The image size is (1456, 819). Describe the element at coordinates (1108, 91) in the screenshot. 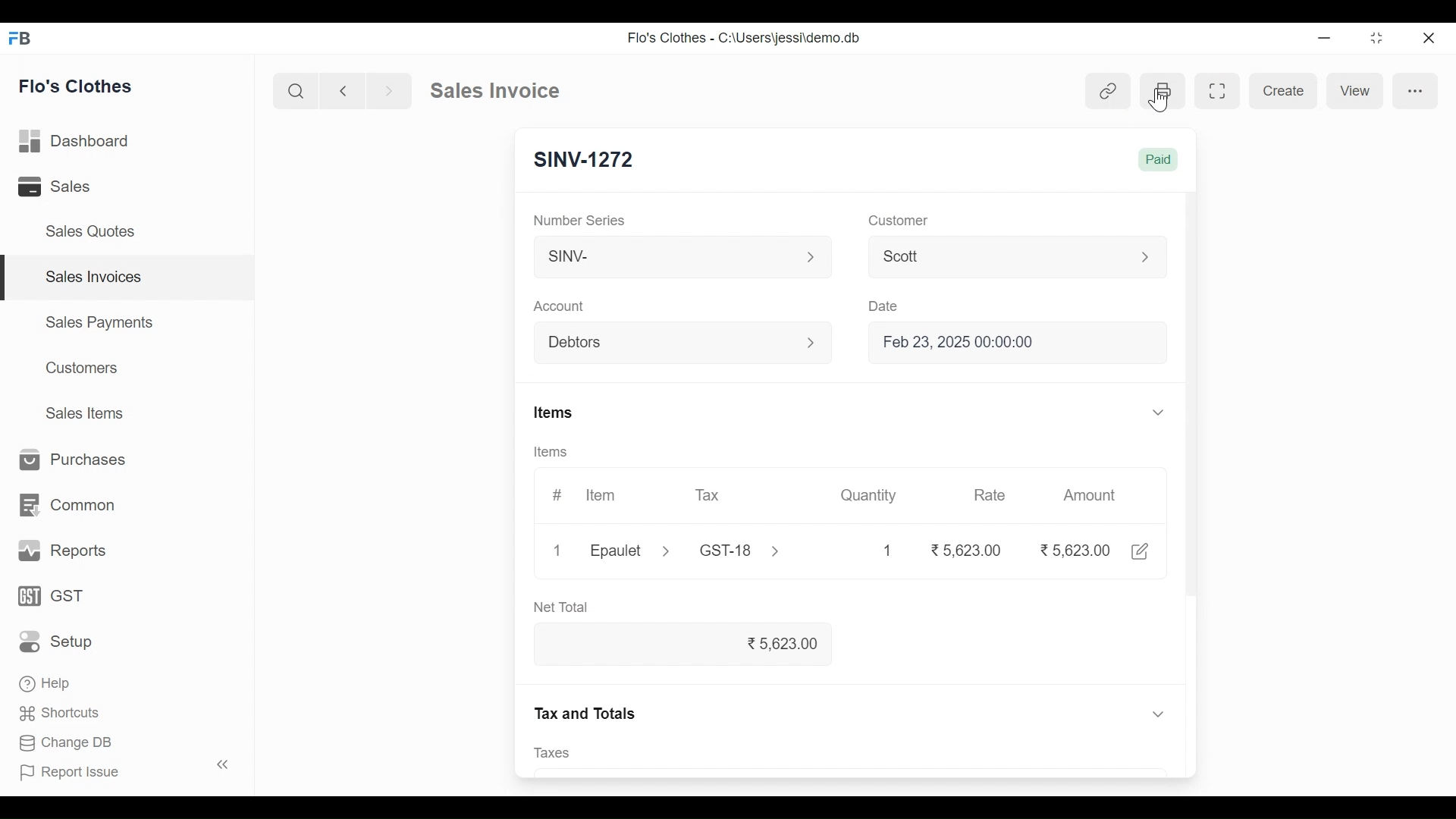

I see `View link entries` at that location.